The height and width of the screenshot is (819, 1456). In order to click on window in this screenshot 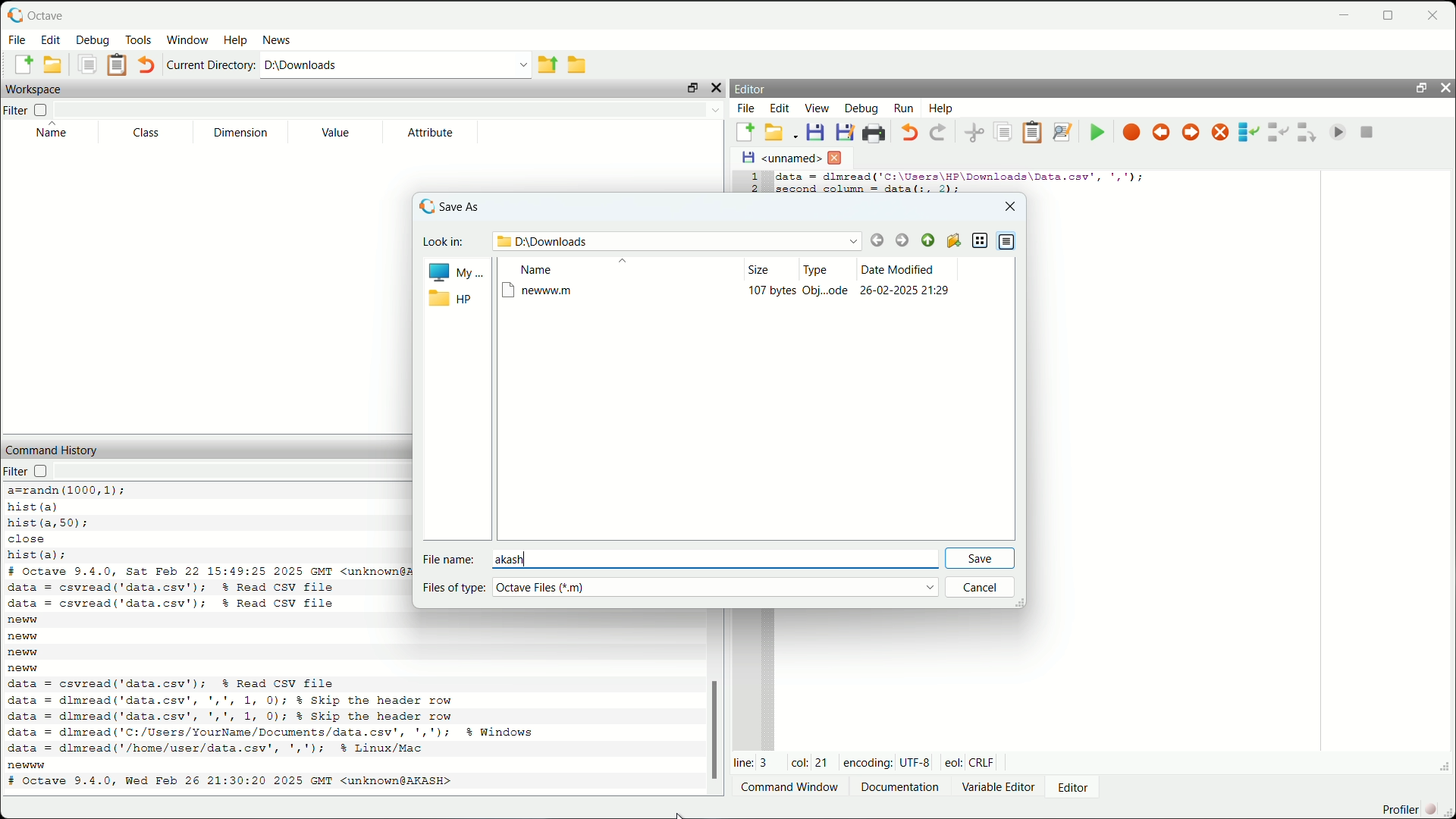, I will do `click(188, 40)`.